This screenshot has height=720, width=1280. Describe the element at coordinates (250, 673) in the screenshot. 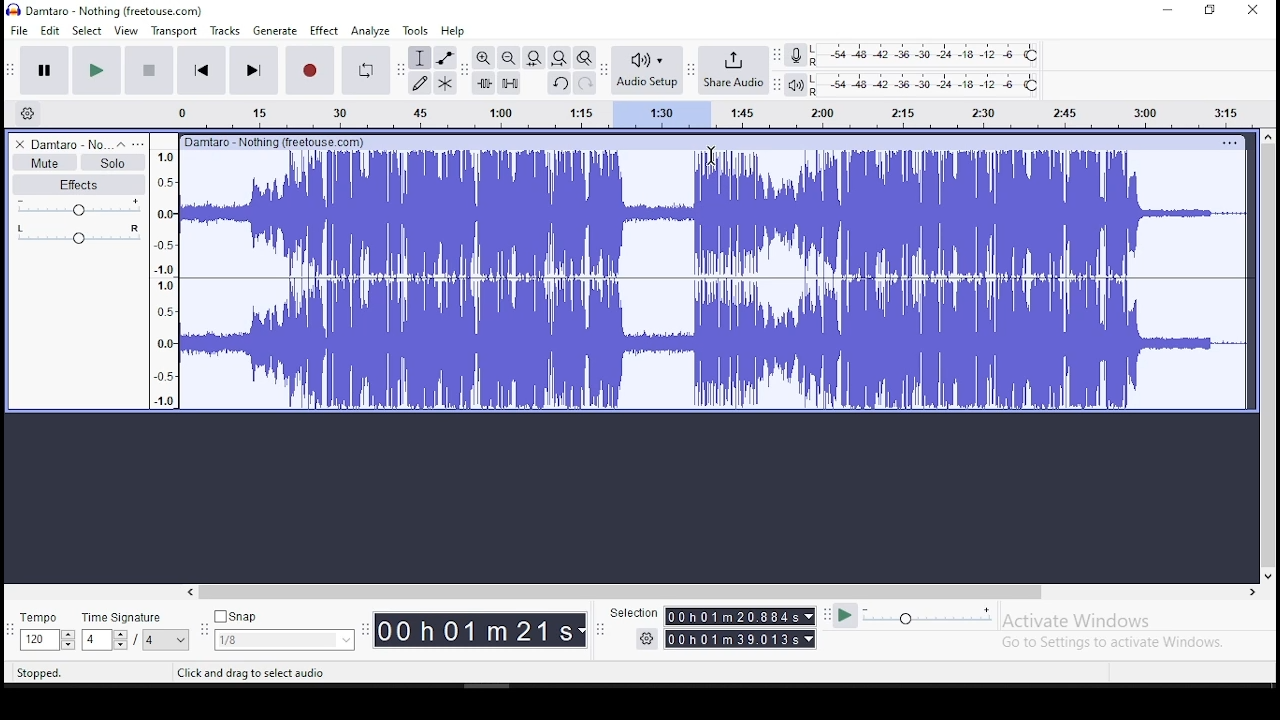

I see `Click and drag to select audio` at that location.